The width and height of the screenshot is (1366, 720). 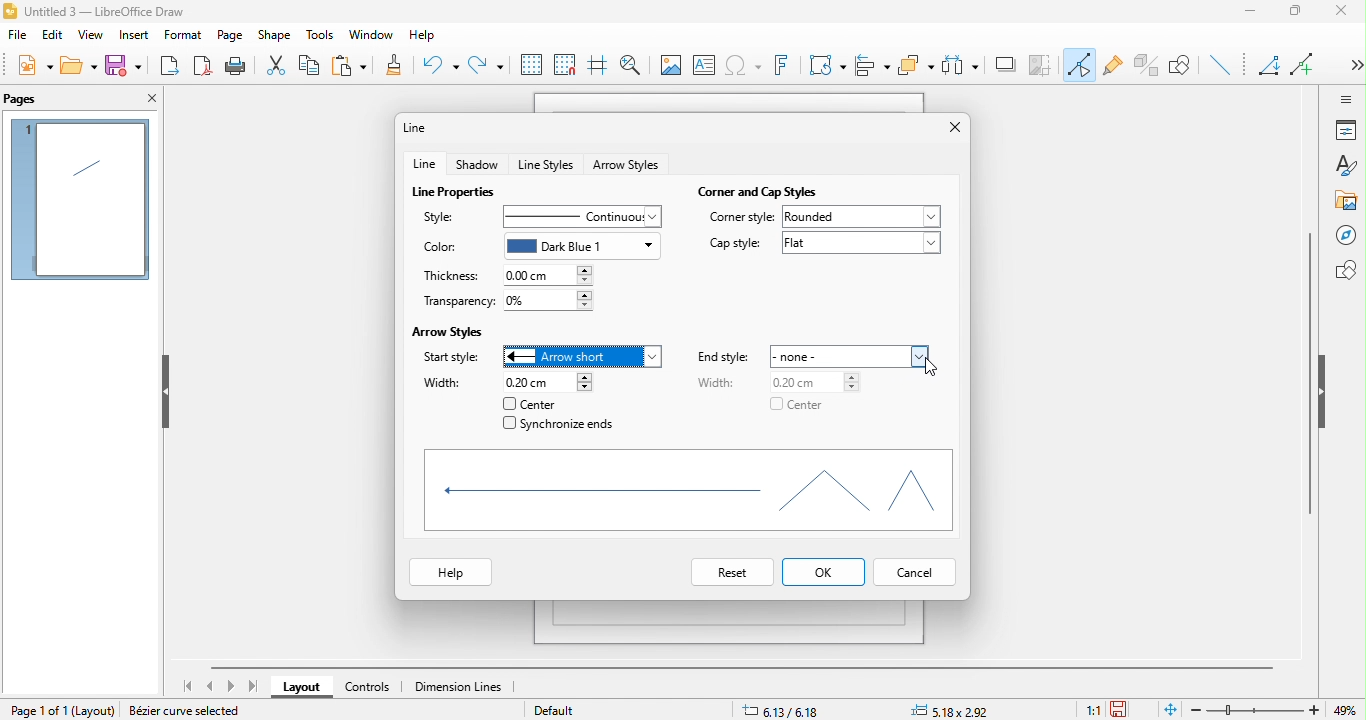 What do you see at coordinates (444, 215) in the screenshot?
I see `style` at bounding box center [444, 215].